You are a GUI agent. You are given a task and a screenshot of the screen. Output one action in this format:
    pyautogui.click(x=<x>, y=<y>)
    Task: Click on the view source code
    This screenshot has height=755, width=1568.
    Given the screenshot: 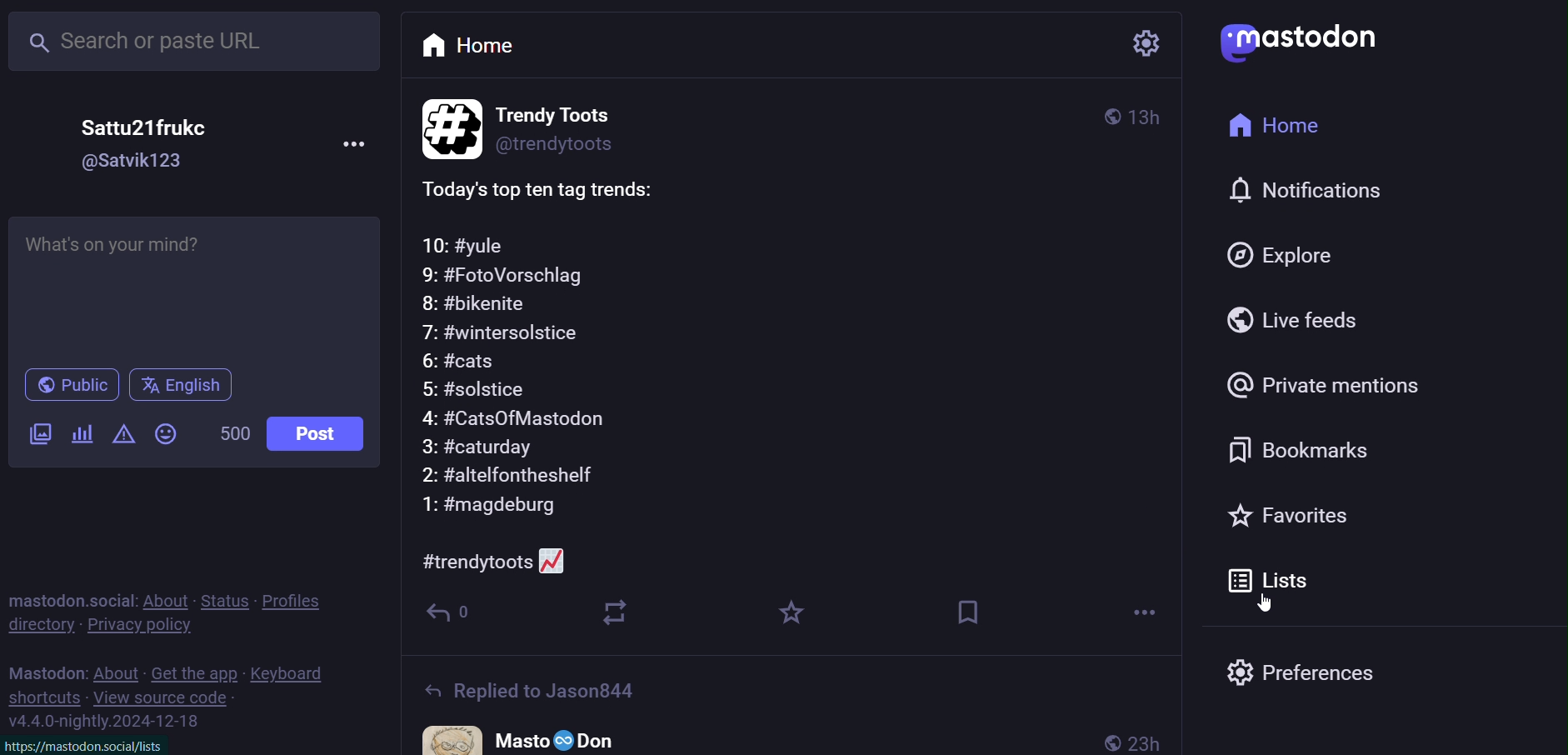 What is the action you would take?
    pyautogui.click(x=164, y=697)
    